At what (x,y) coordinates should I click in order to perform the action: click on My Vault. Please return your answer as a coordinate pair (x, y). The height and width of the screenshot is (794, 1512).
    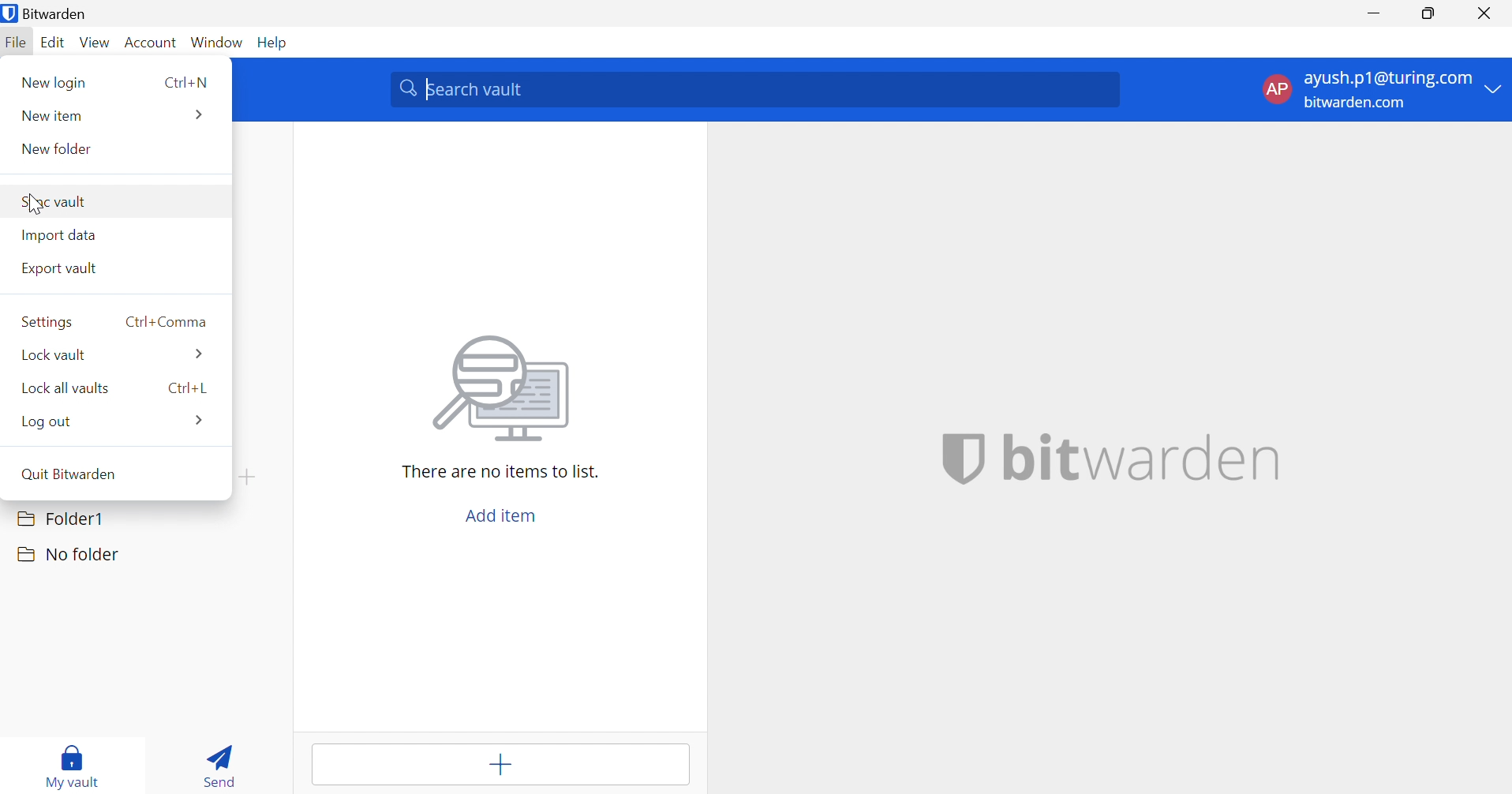
    Looking at the image, I should click on (75, 763).